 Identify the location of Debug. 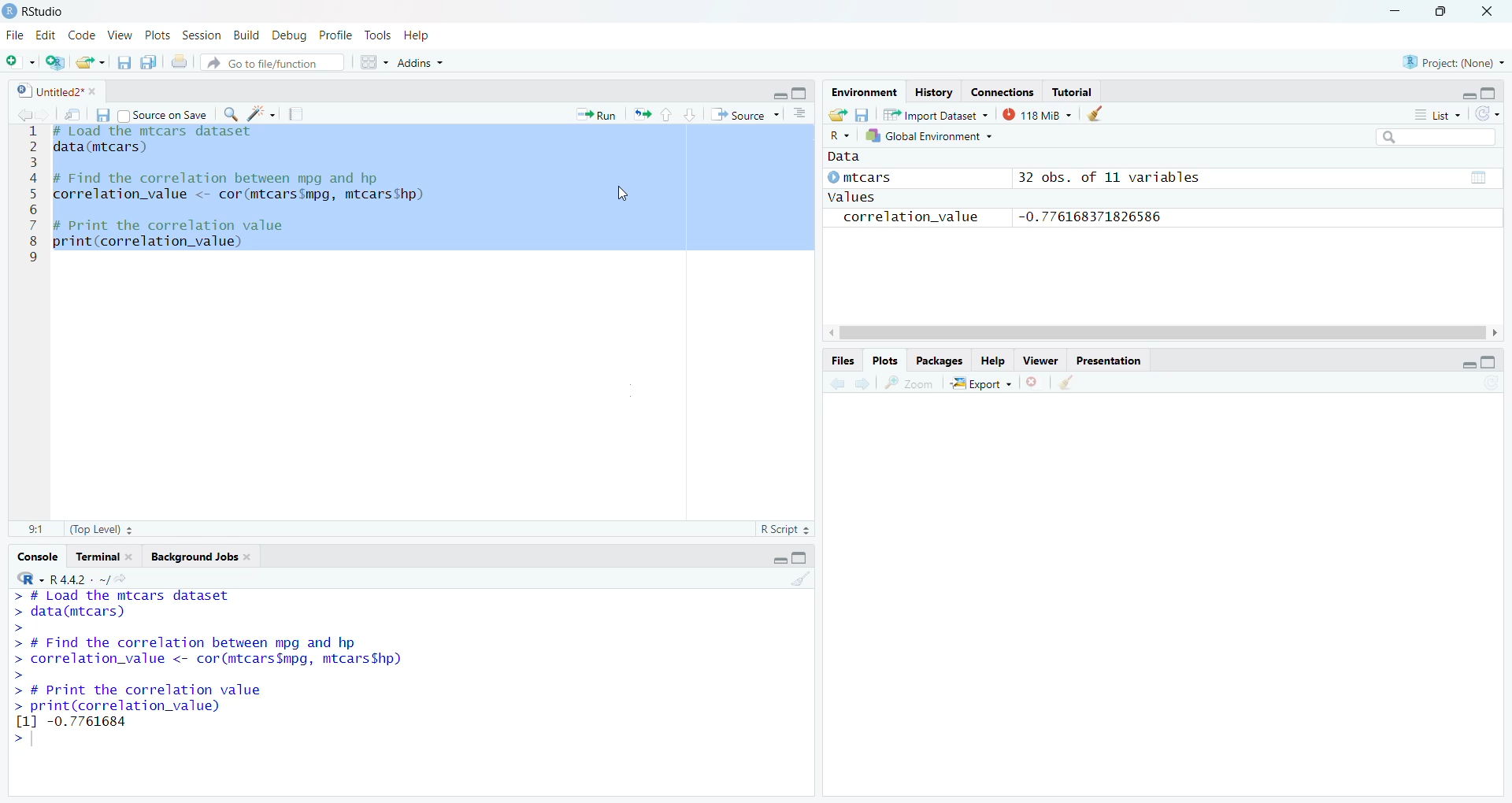
(287, 37).